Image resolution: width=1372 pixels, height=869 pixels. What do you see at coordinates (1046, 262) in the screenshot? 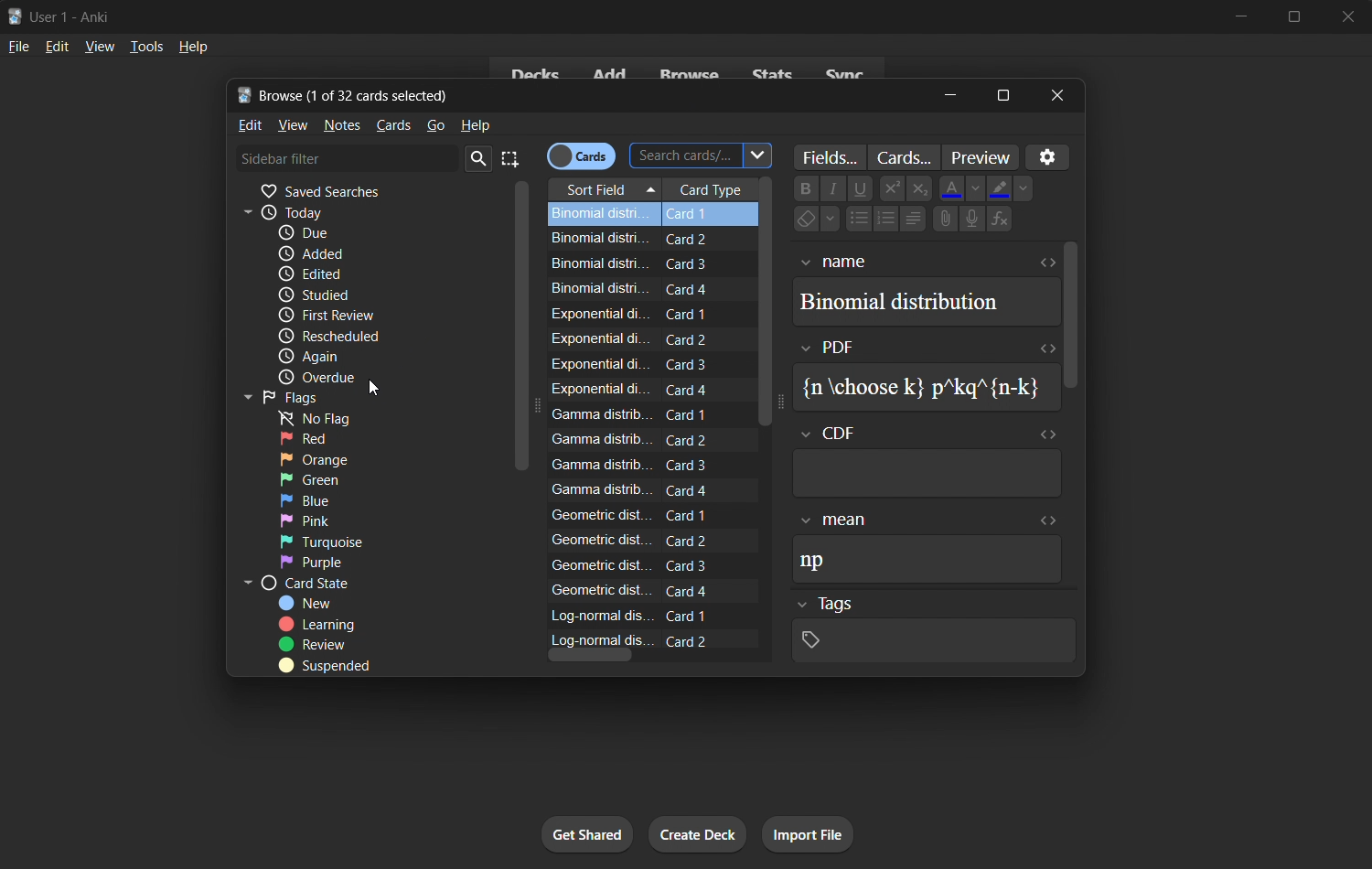
I see `expand` at bounding box center [1046, 262].